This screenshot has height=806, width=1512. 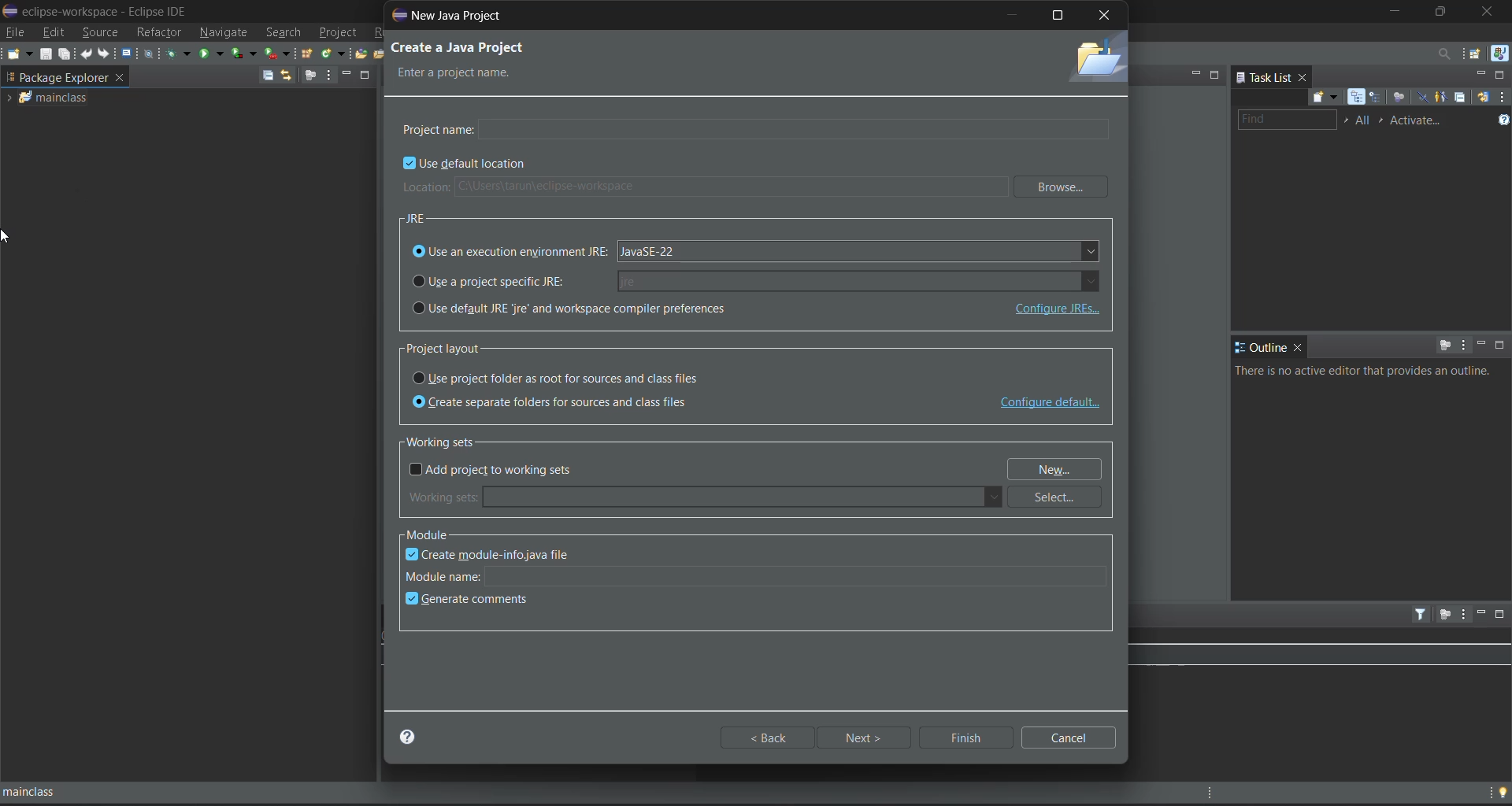 I want to click on close, so click(x=1303, y=76).